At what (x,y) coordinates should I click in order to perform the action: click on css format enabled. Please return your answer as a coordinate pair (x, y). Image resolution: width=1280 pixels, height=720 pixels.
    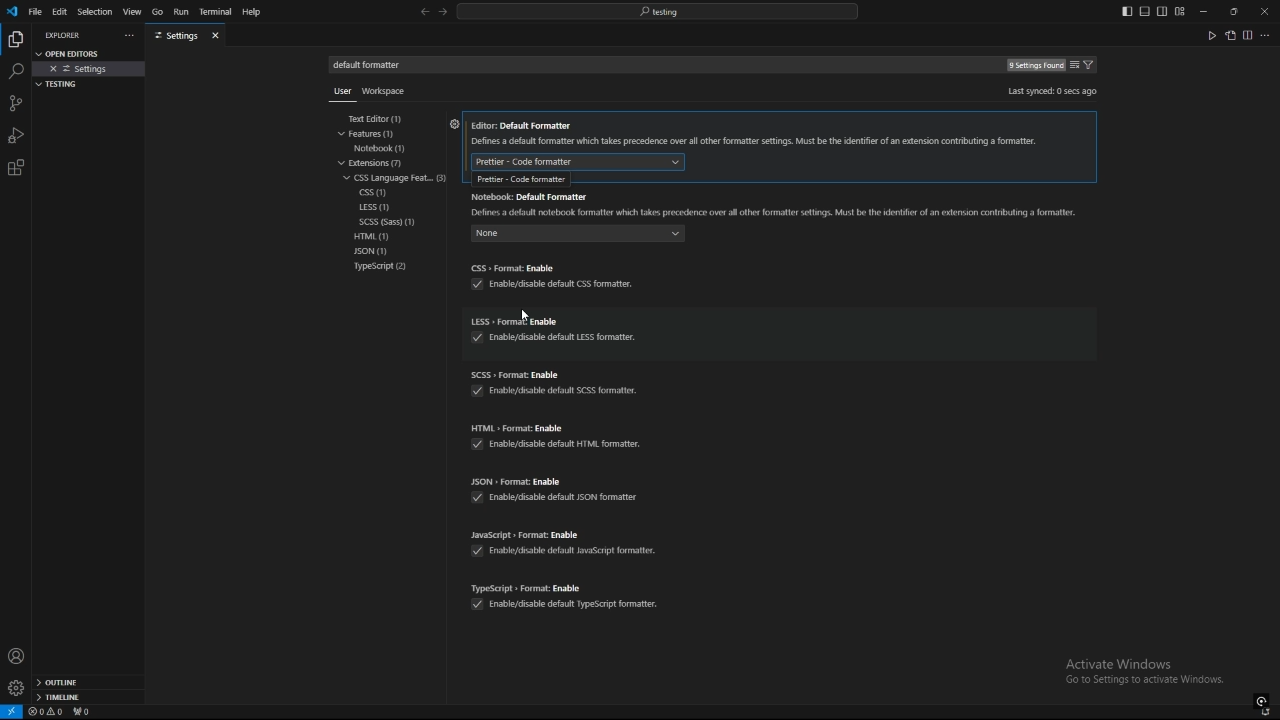
    Looking at the image, I should click on (551, 267).